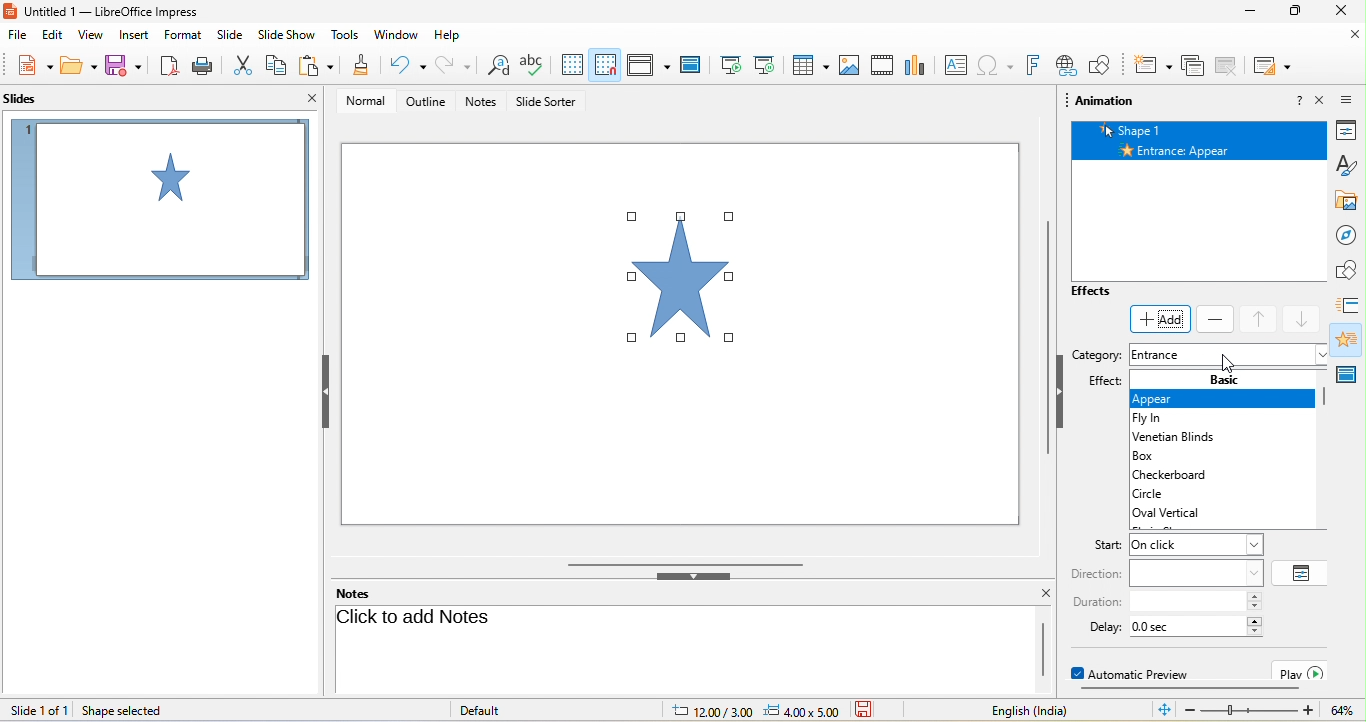 This screenshot has height=722, width=1366. What do you see at coordinates (1043, 650) in the screenshot?
I see `scrollbar` at bounding box center [1043, 650].